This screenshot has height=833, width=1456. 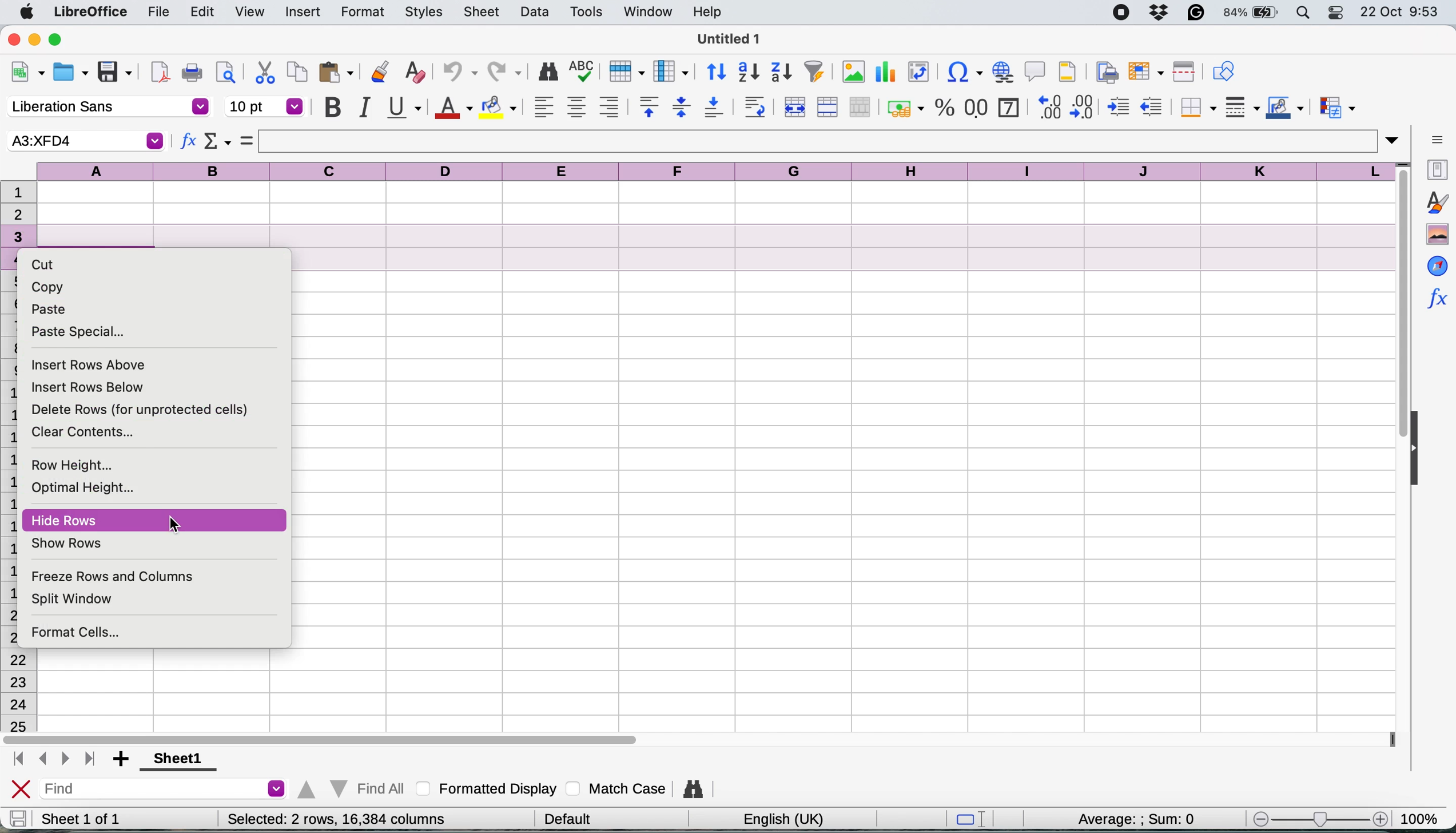 What do you see at coordinates (61, 40) in the screenshot?
I see `maximise` at bounding box center [61, 40].